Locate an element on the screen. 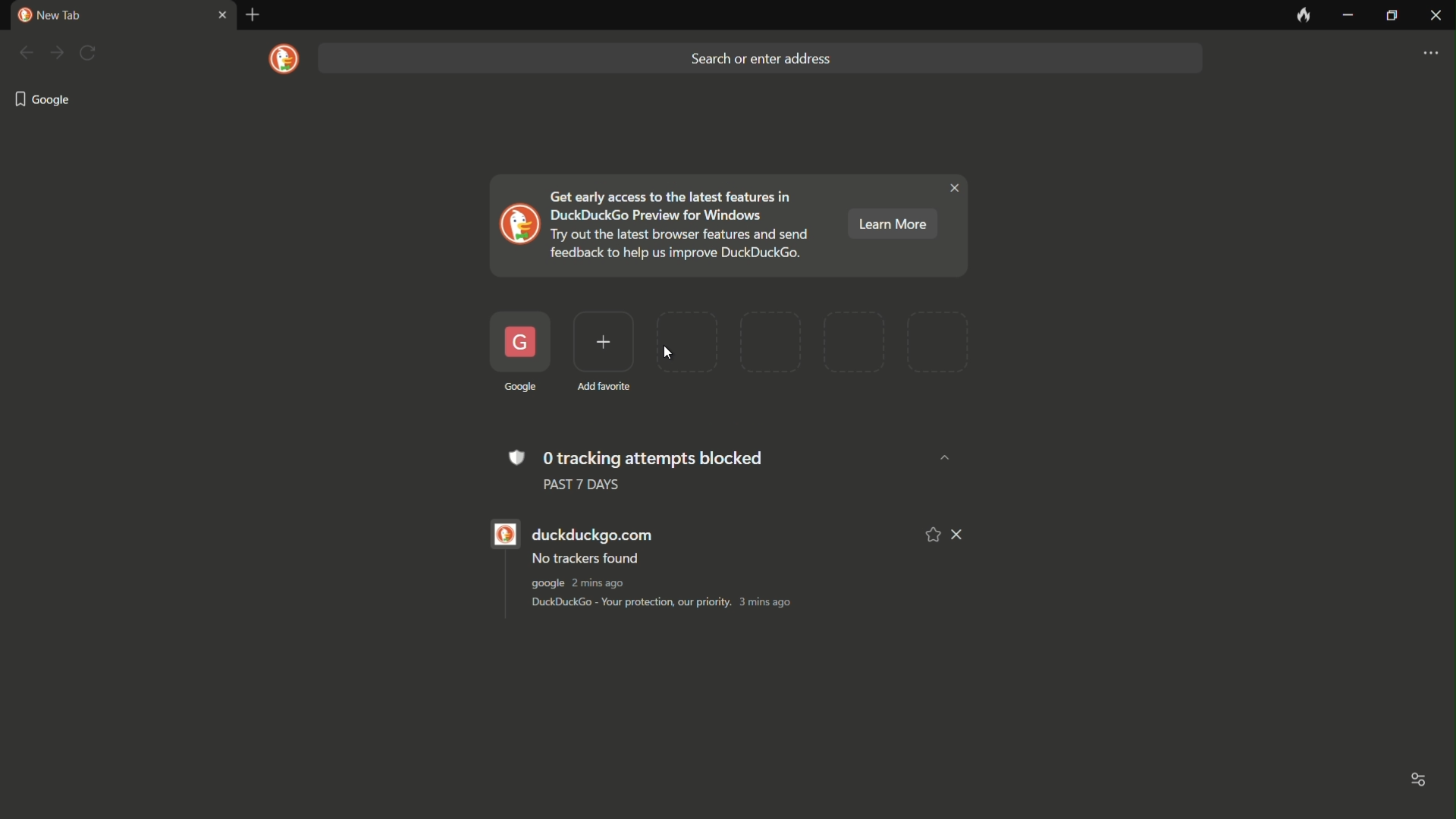 The width and height of the screenshot is (1456, 819). maximize or restore is located at coordinates (1391, 17).